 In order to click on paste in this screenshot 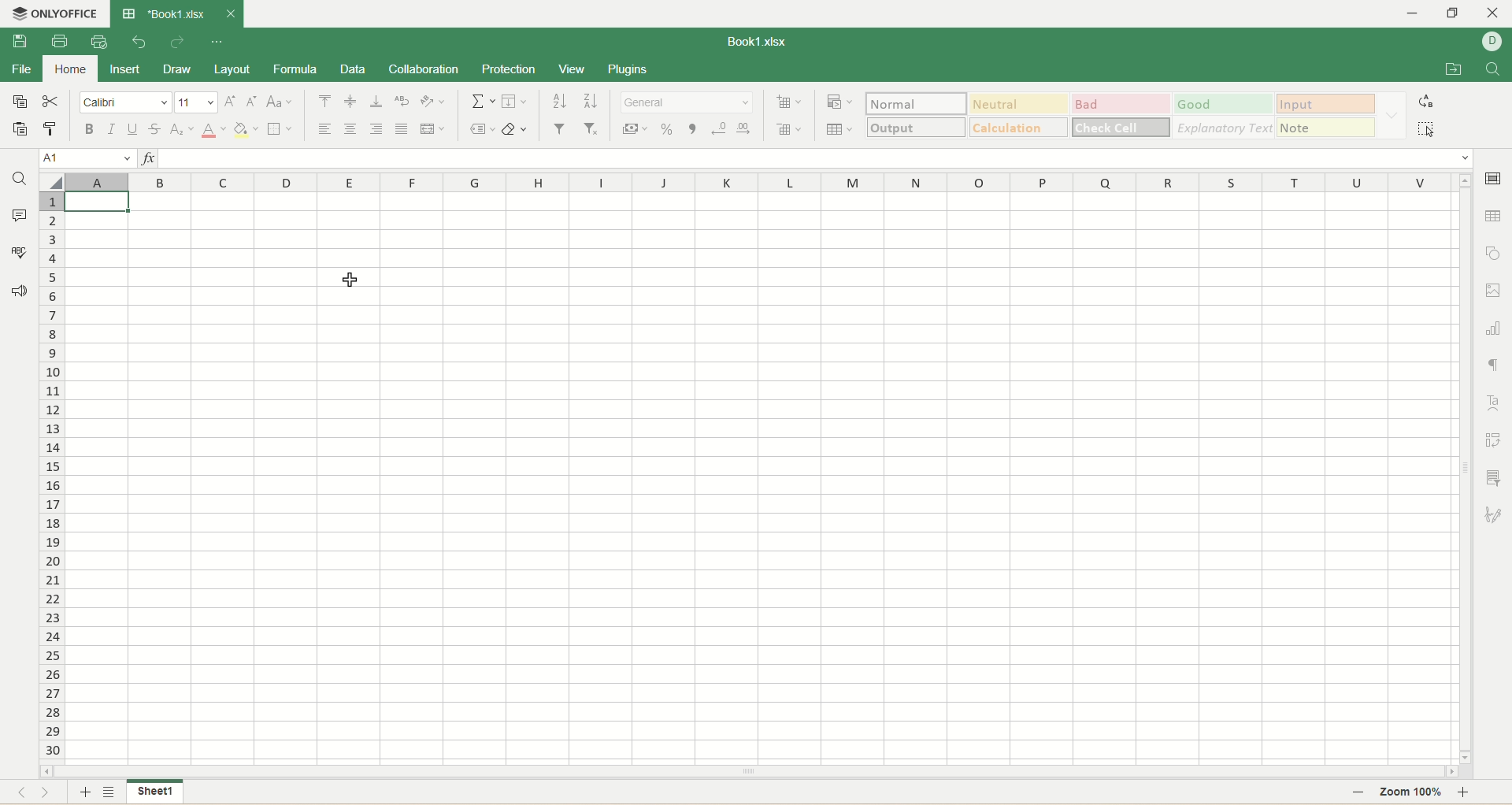, I will do `click(20, 131)`.